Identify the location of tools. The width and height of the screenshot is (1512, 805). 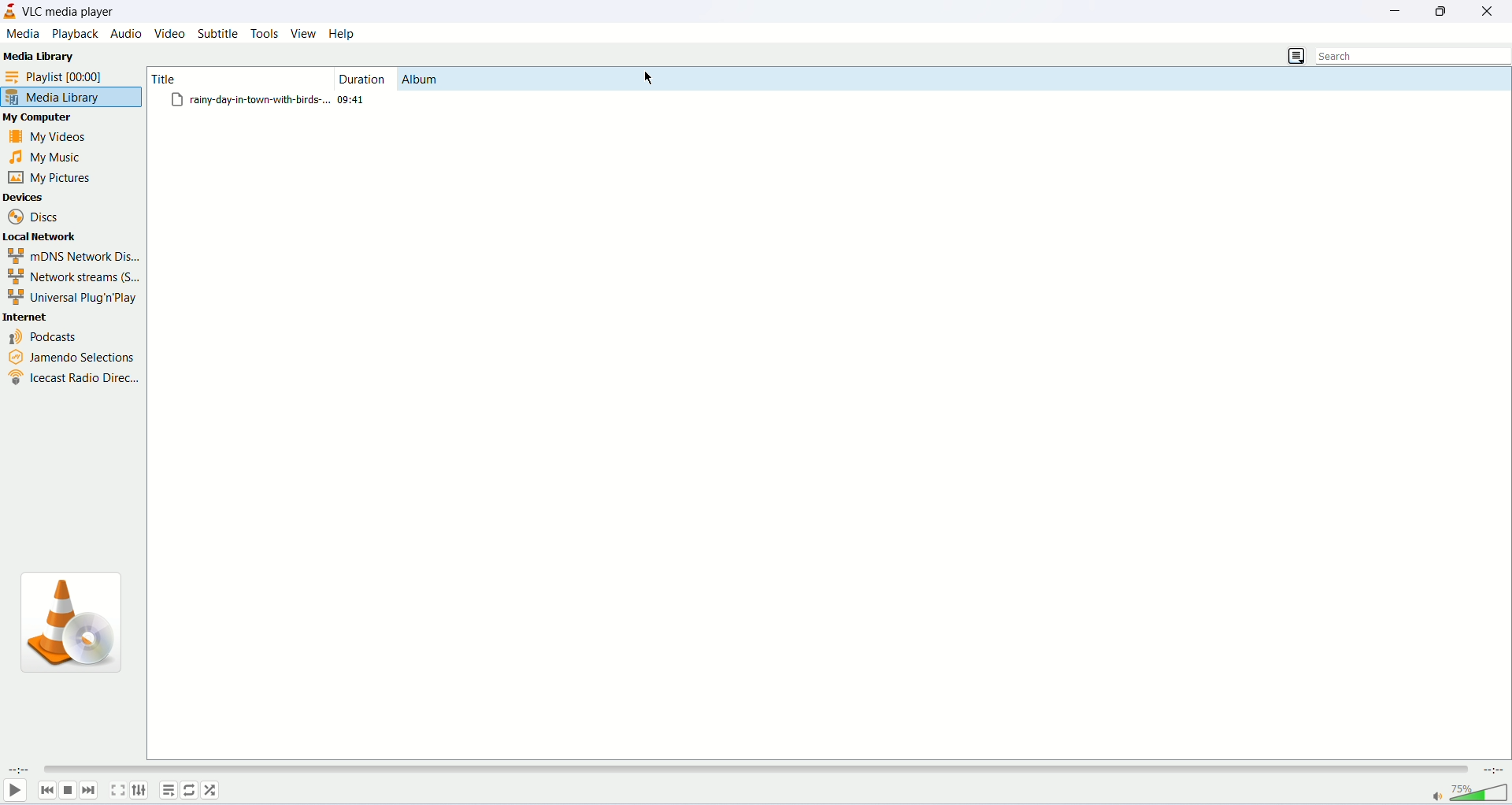
(263, 34).